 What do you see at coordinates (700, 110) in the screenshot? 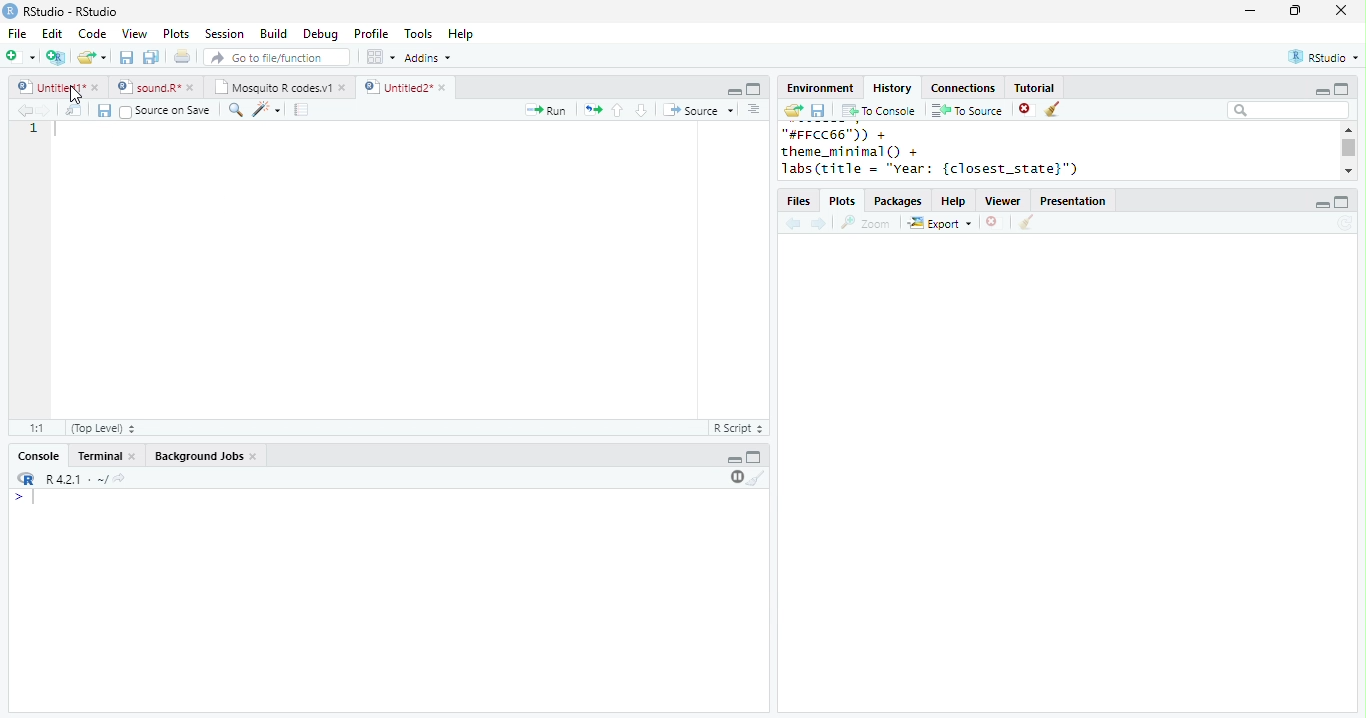
I see `Source` at bounding box center [700, 110].